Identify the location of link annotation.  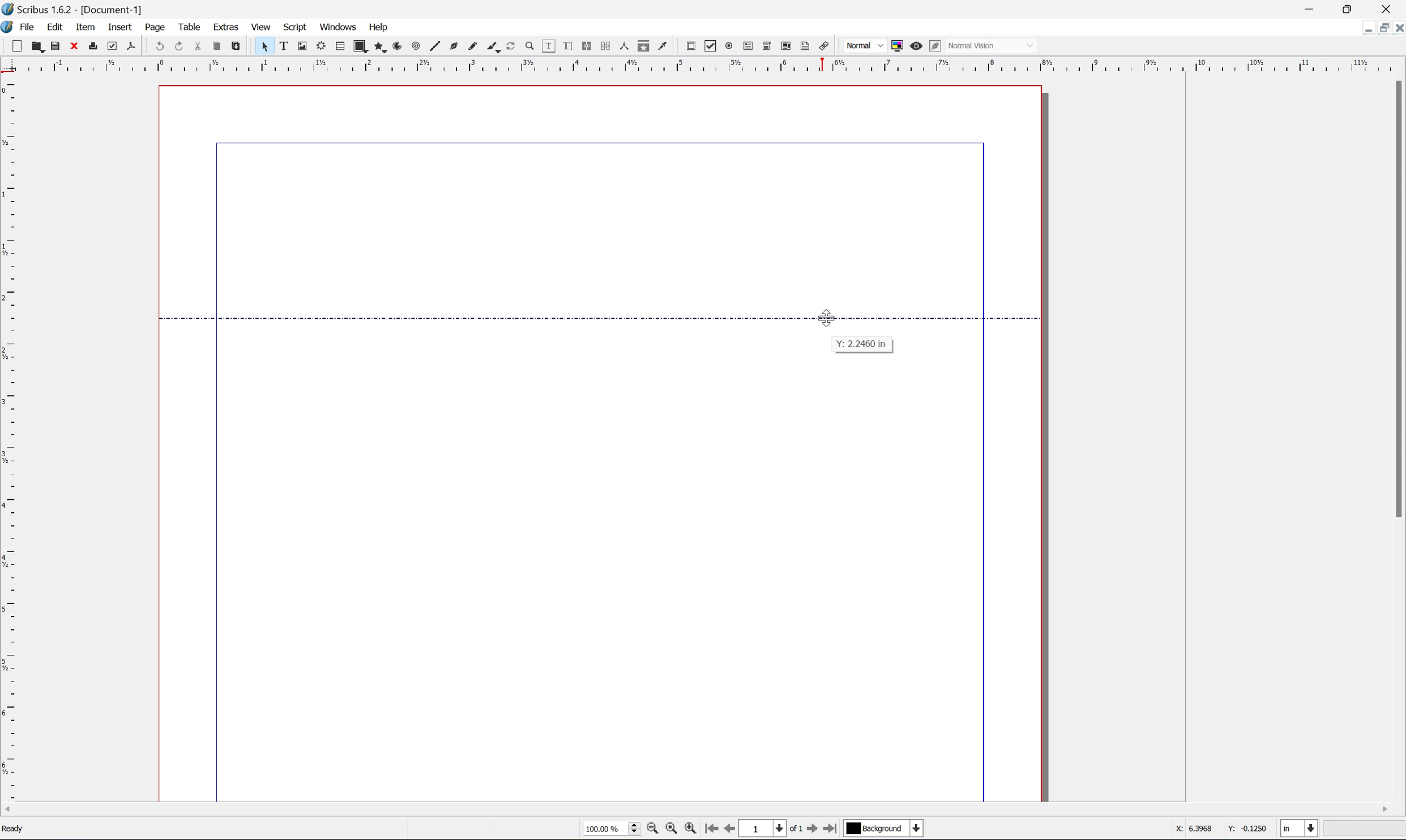
(824, 46).